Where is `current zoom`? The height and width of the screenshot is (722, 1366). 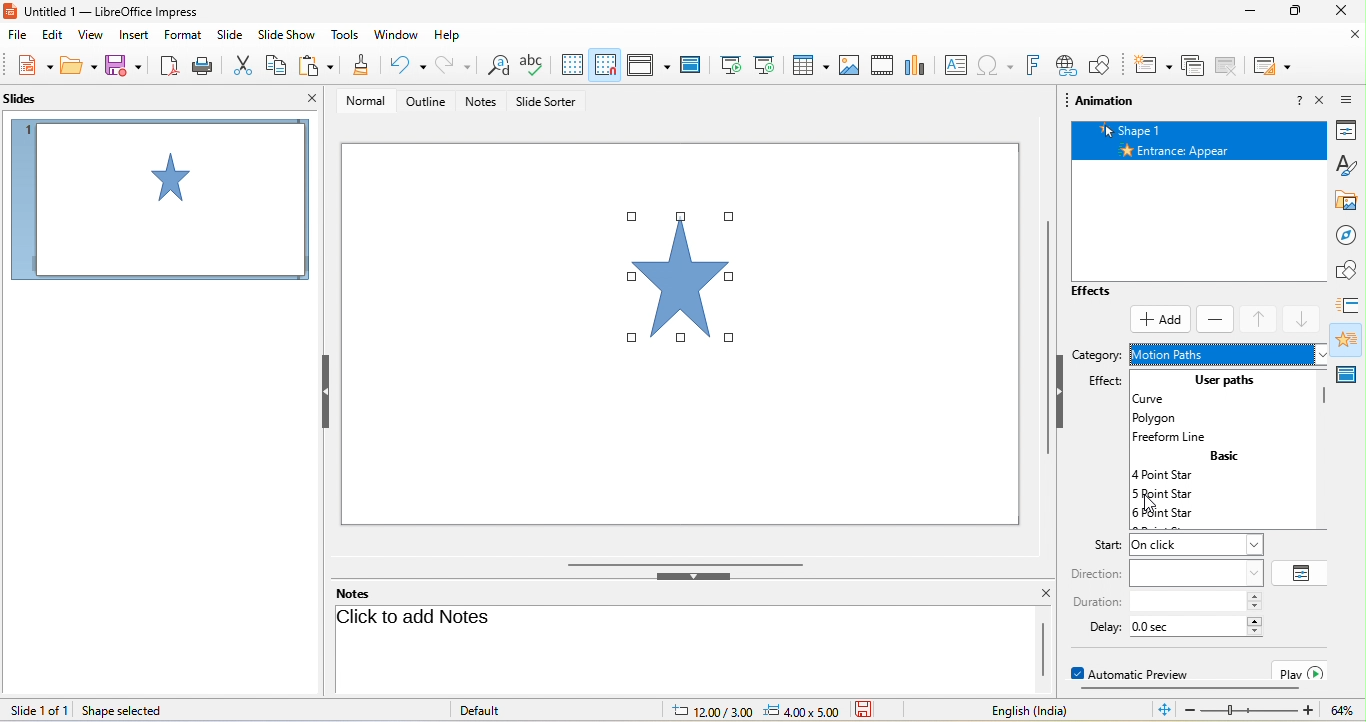 current zoom is located at coordinates (1342, 710).